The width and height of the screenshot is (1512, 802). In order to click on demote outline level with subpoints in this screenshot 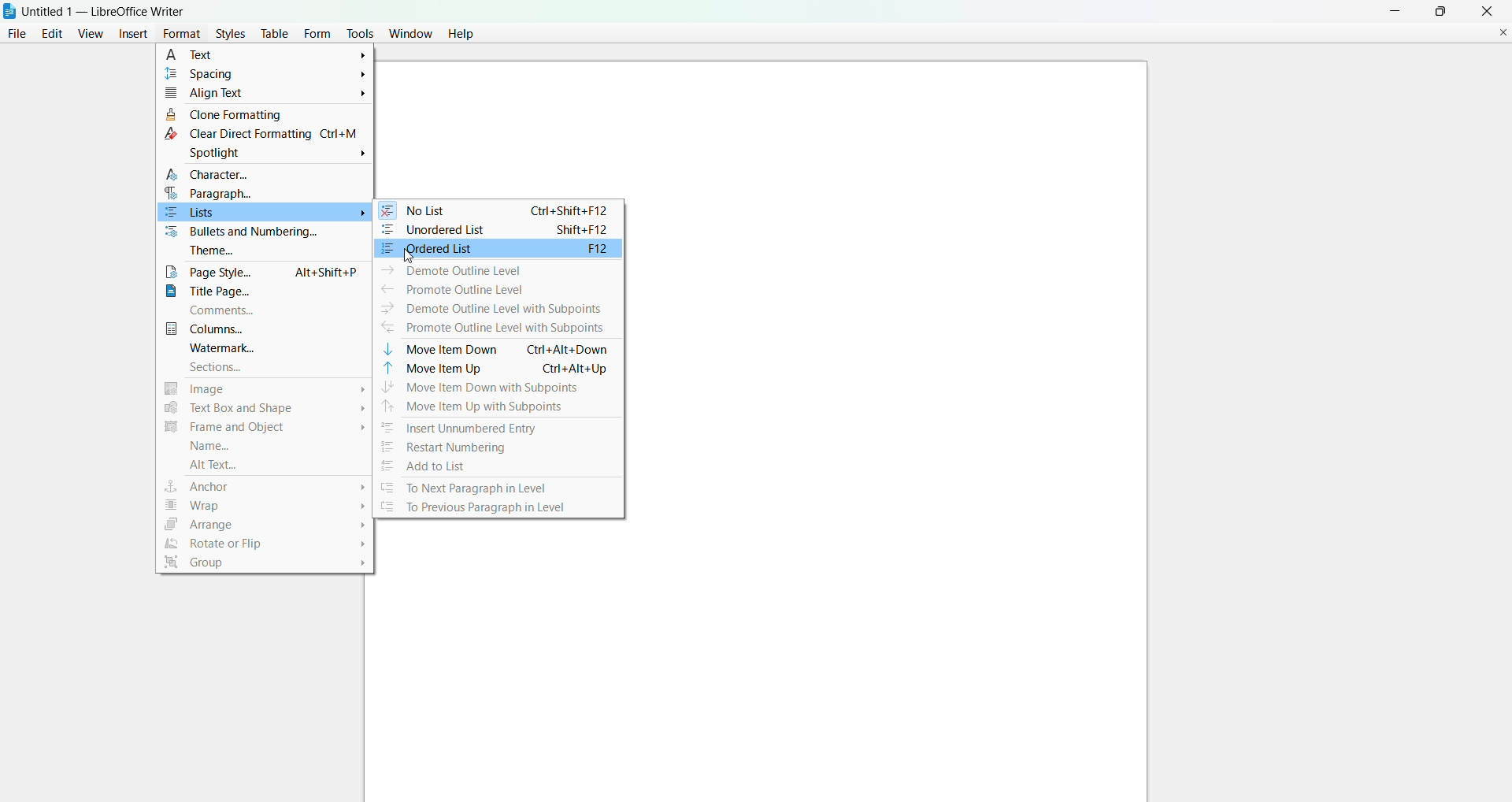, I will do `click(491, 310)`.